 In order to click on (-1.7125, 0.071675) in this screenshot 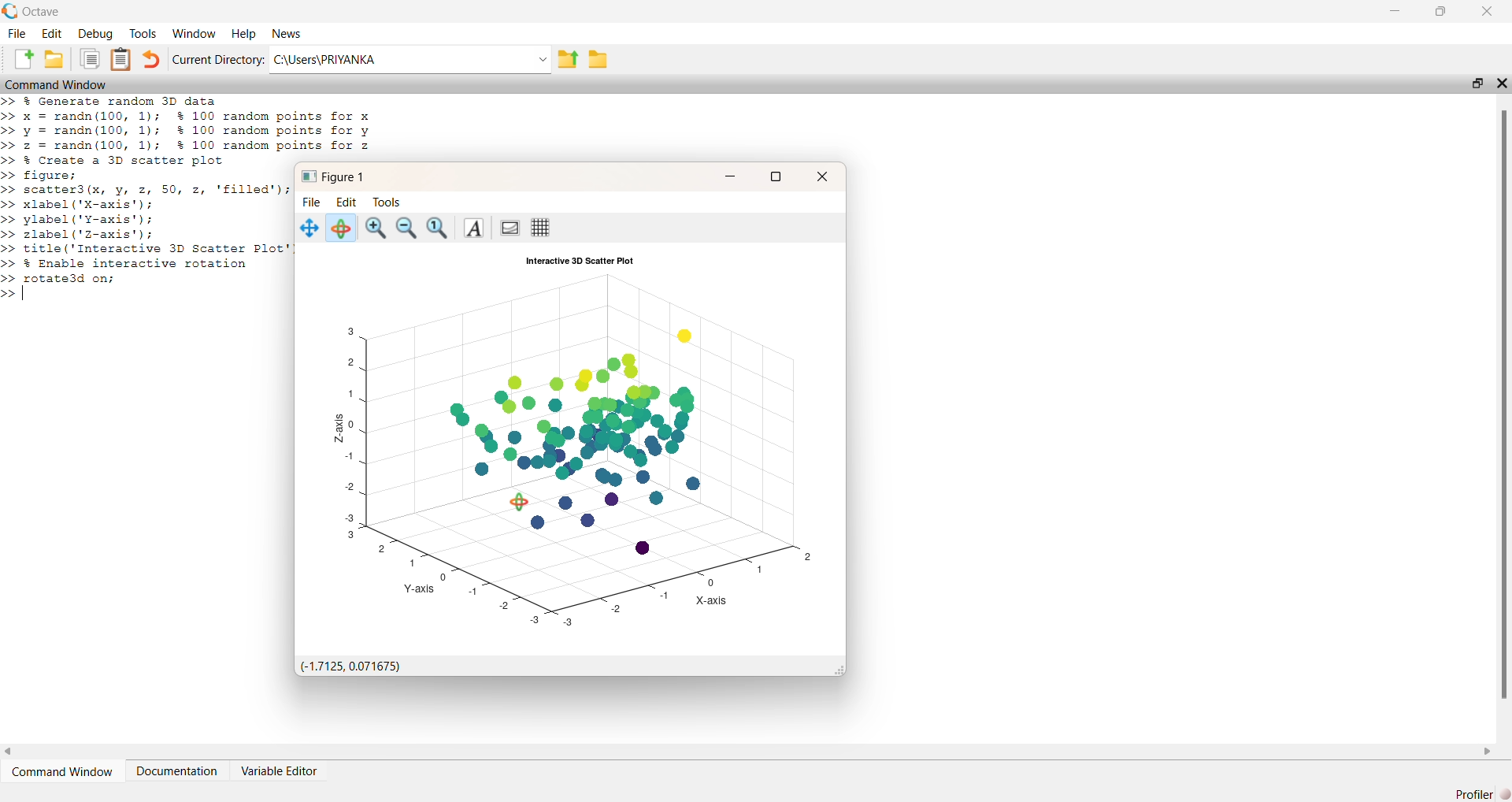, I will do `click(348, 666)`.